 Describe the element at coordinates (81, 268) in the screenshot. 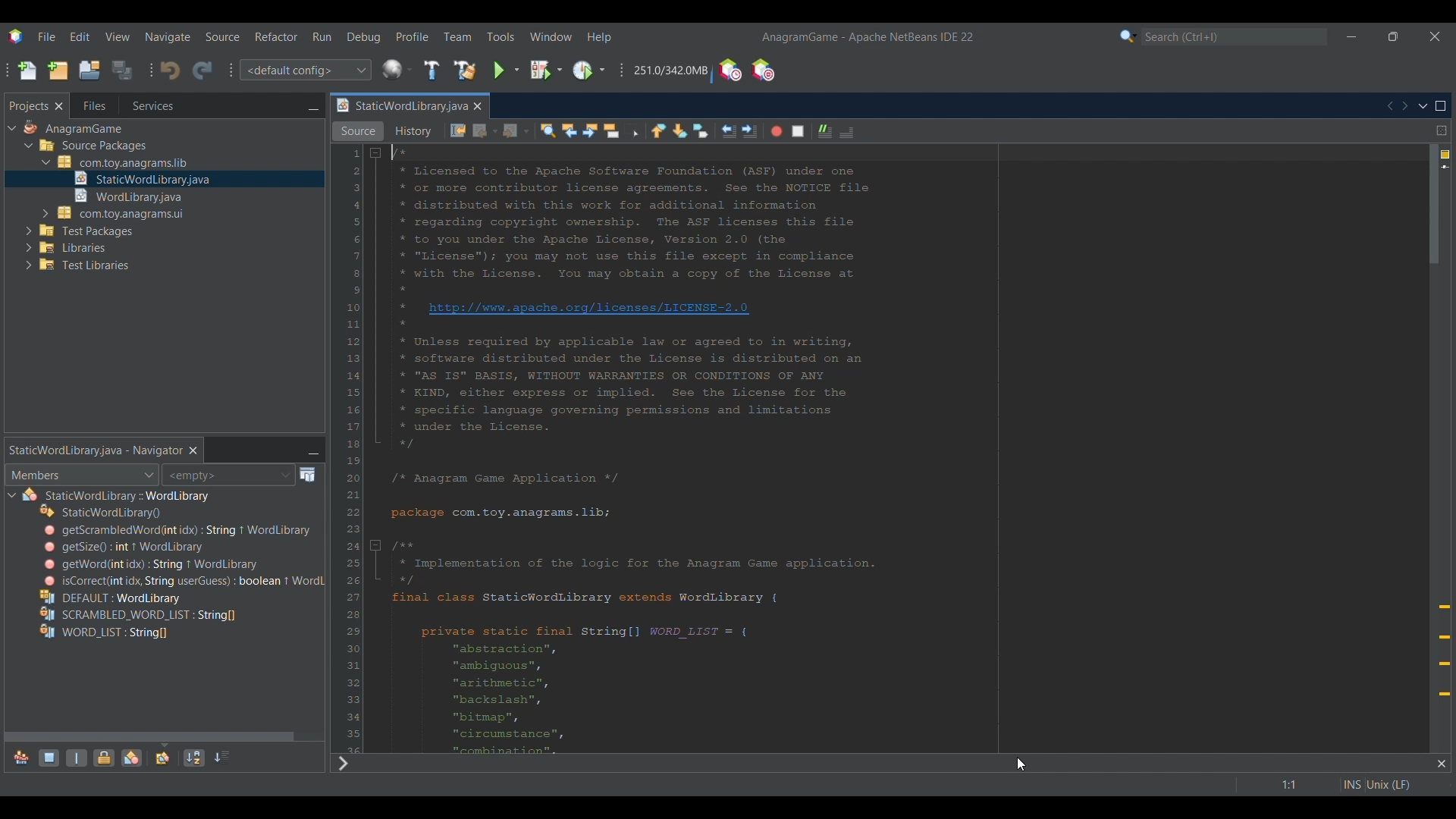

I see `` at that location.